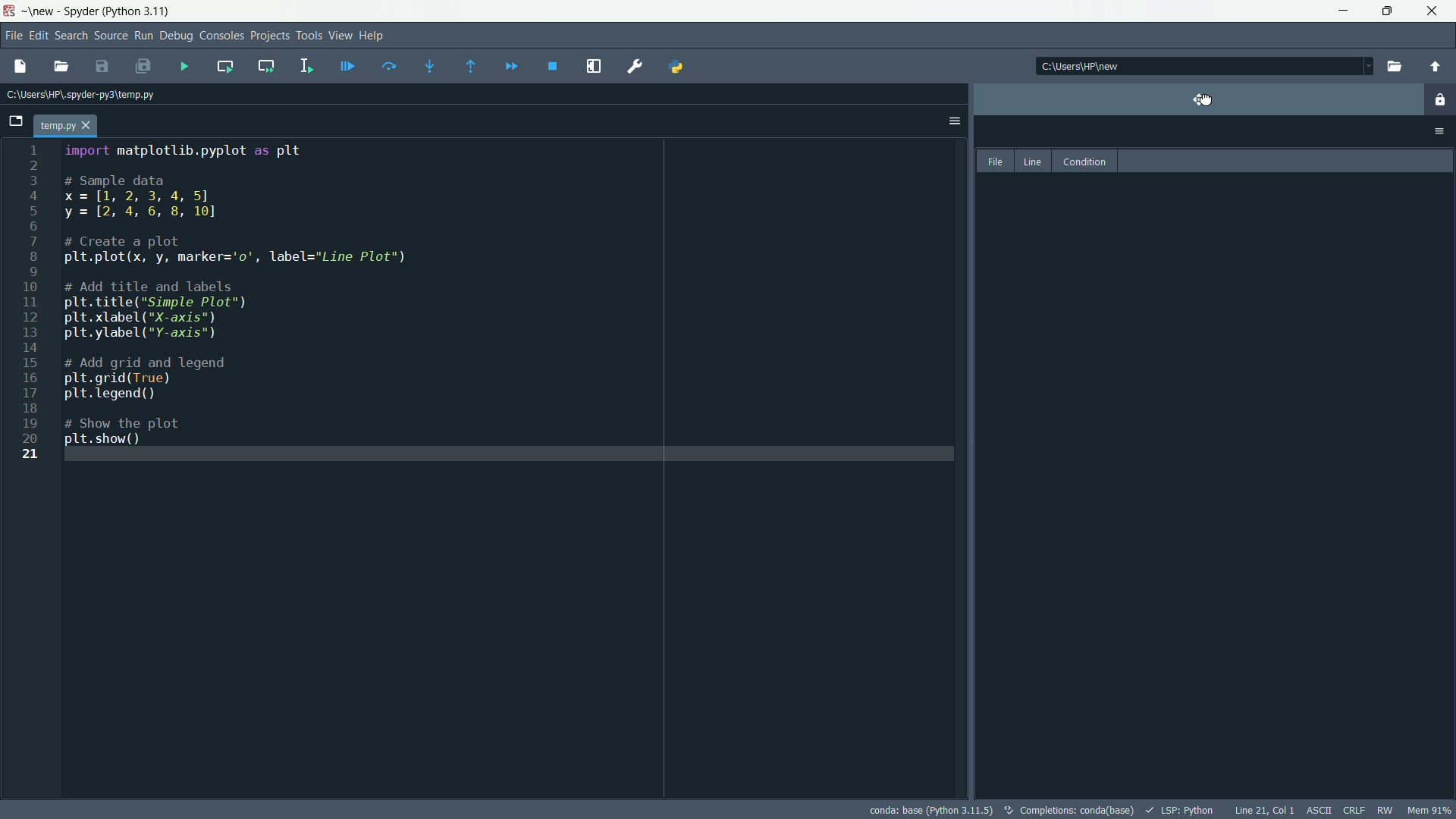  What do you see at coordinates (41, 11) in the screenshot?
I see `new` at bounding box center [41, 11].